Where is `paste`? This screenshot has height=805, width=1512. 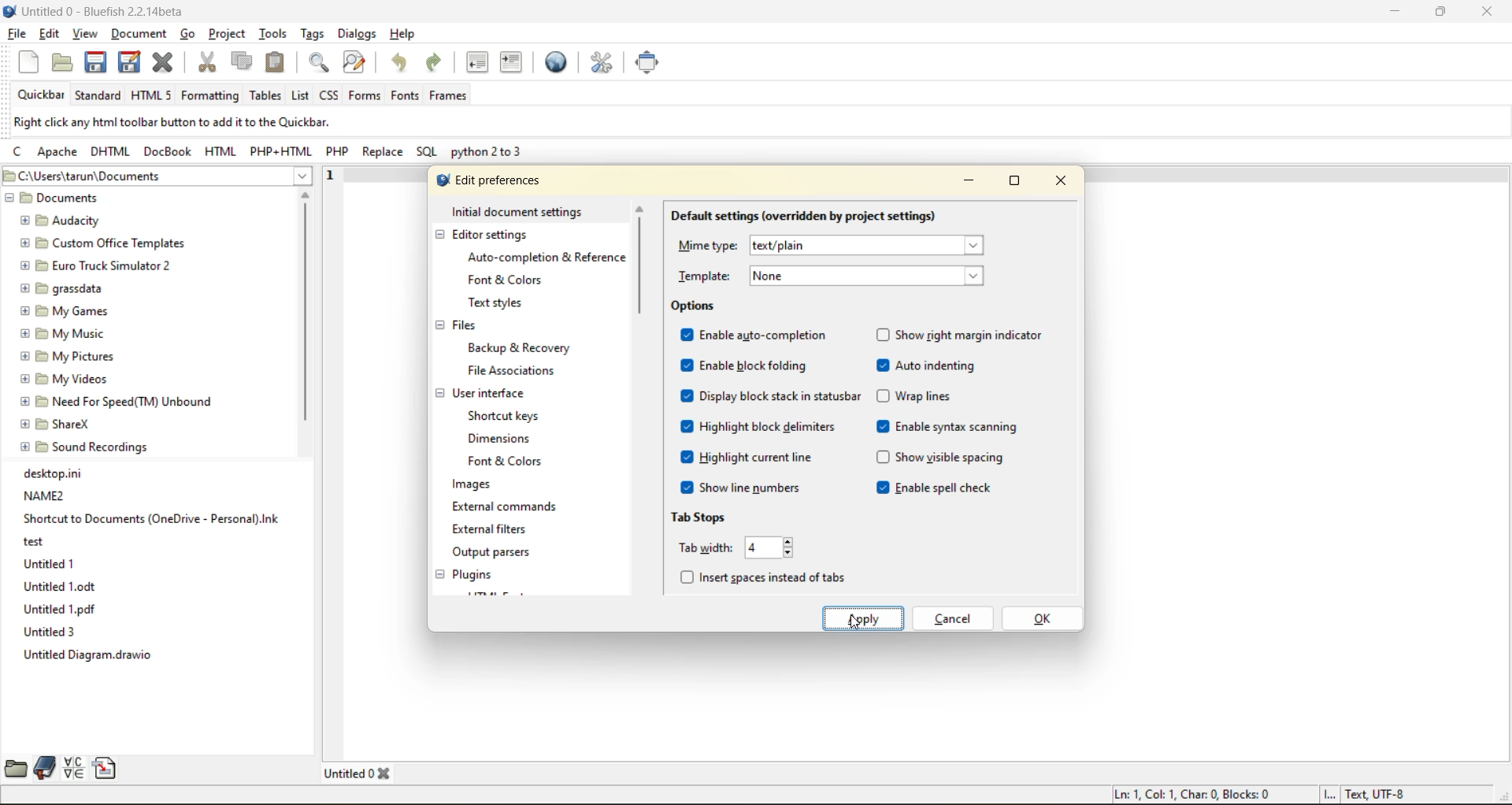 paste is located at coordinates (277, 62).